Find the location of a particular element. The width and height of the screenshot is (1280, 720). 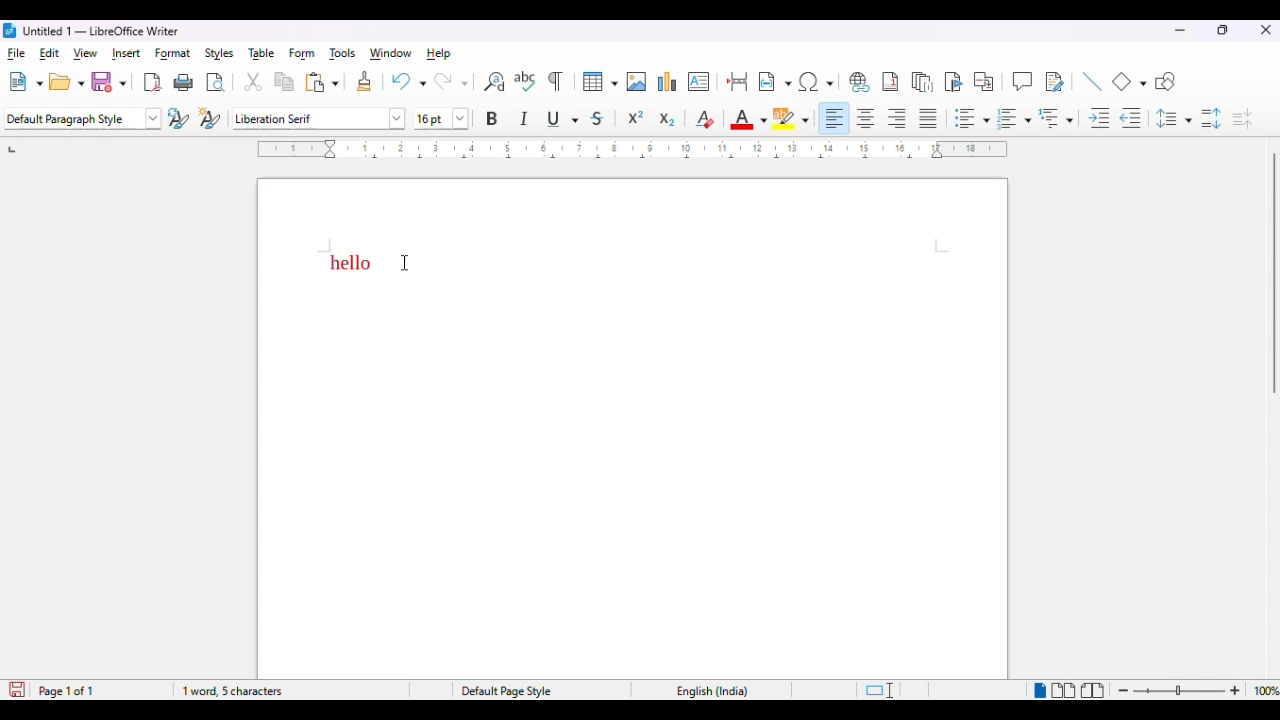

insert comment is located at coordinates (1022, 81).